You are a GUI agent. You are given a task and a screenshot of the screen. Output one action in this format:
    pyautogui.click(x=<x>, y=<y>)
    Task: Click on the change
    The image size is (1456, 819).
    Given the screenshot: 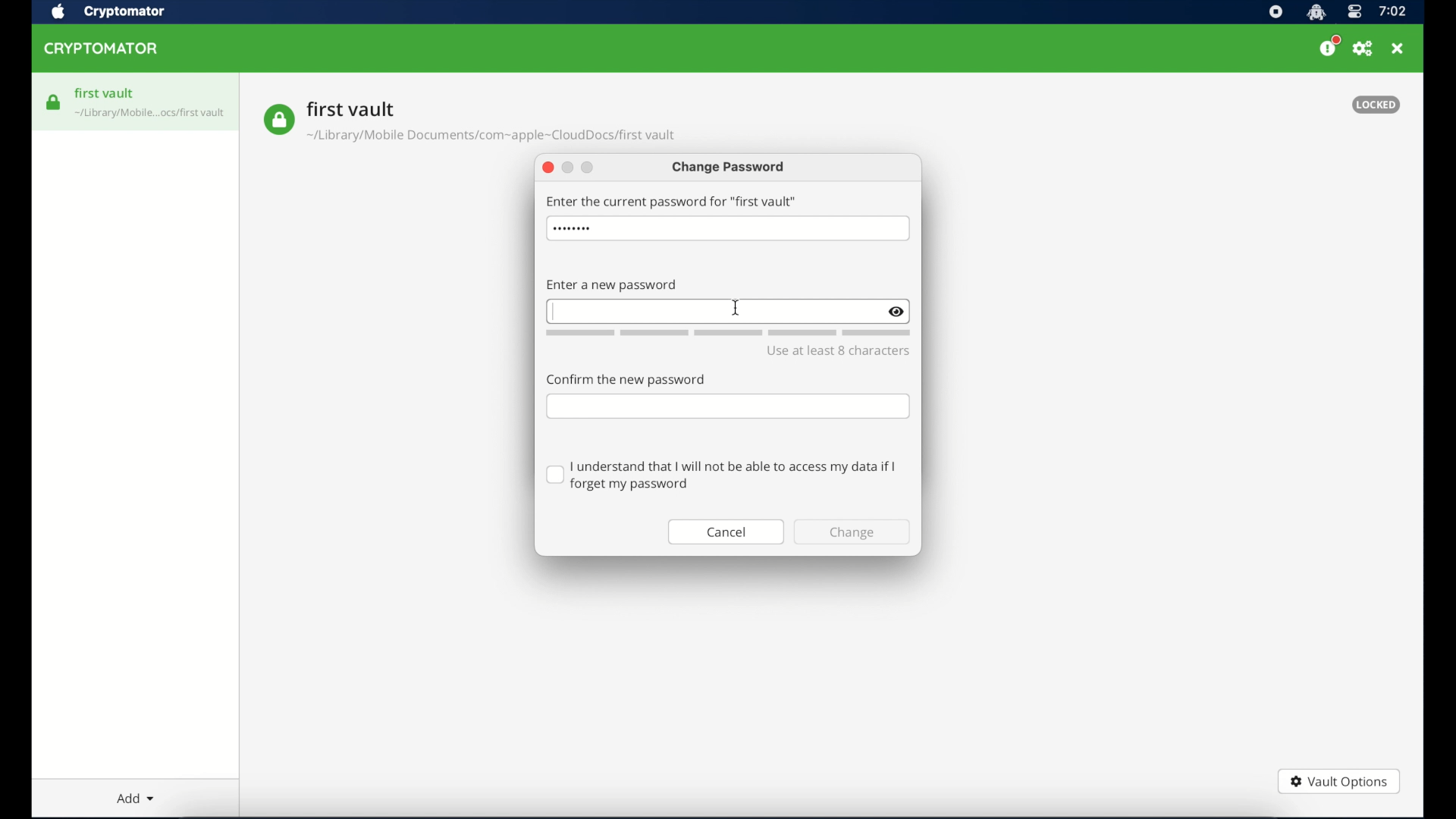 What is the action you would take?
    pyautogui.click(x=852, y=532)
    